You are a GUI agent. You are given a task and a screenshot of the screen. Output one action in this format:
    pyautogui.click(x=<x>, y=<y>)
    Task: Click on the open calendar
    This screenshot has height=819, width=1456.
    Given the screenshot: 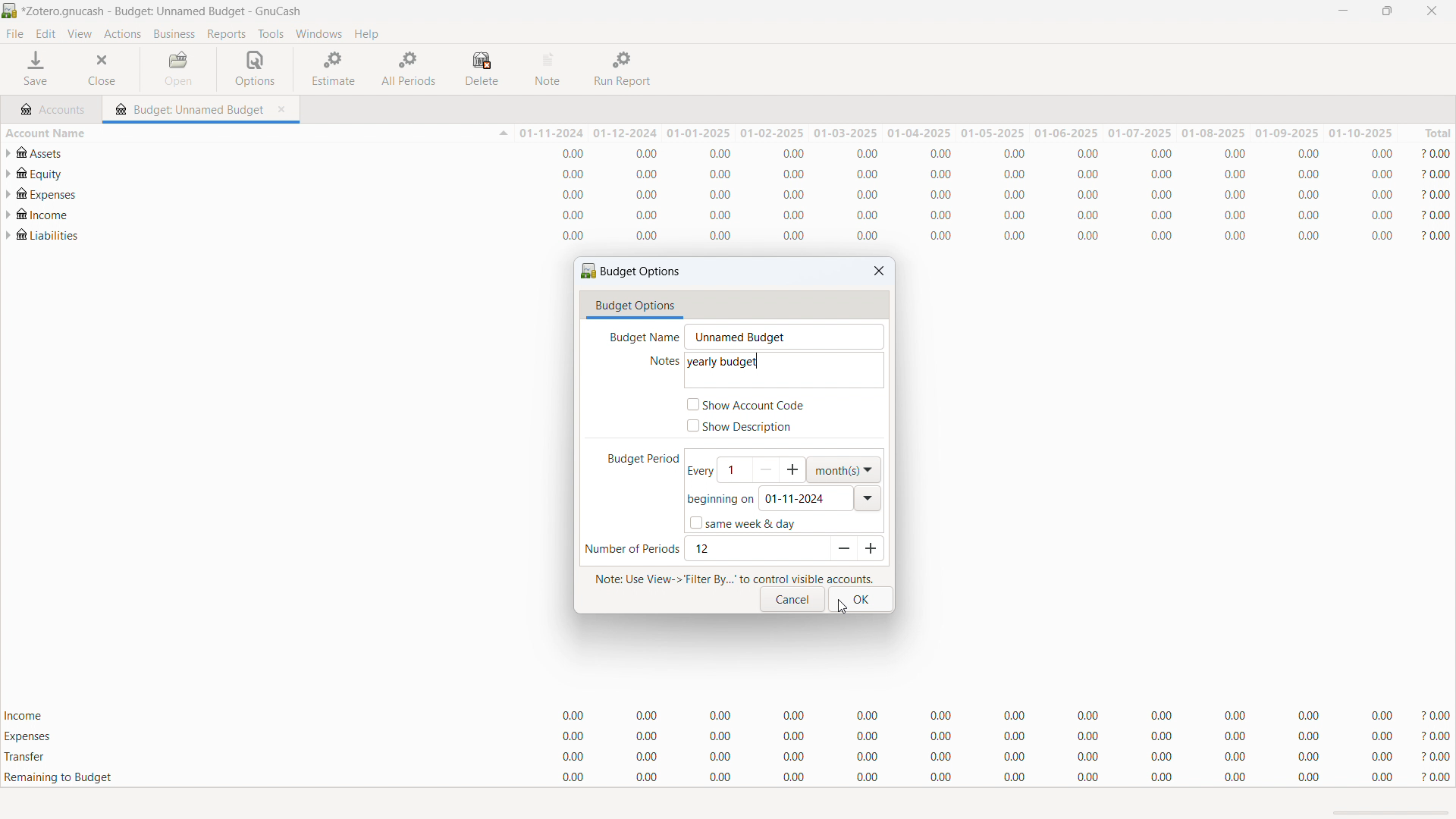 What is the action you would take?
    pyautogui.click(x=870, y=498)
    